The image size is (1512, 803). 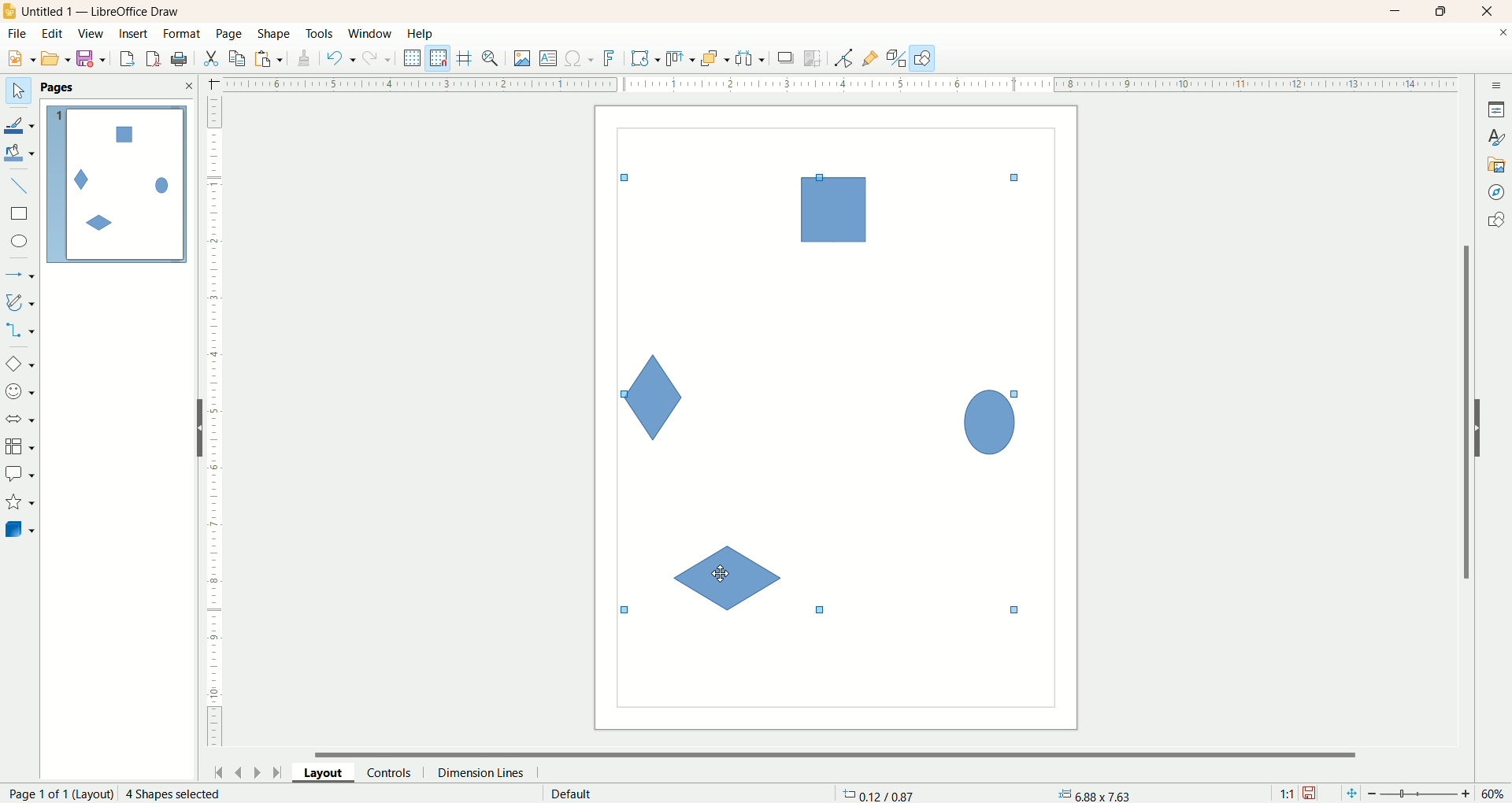 What do you see at coordinates (573, 794) in the screenshot?
I see `default` at bounding box center [573, 794].